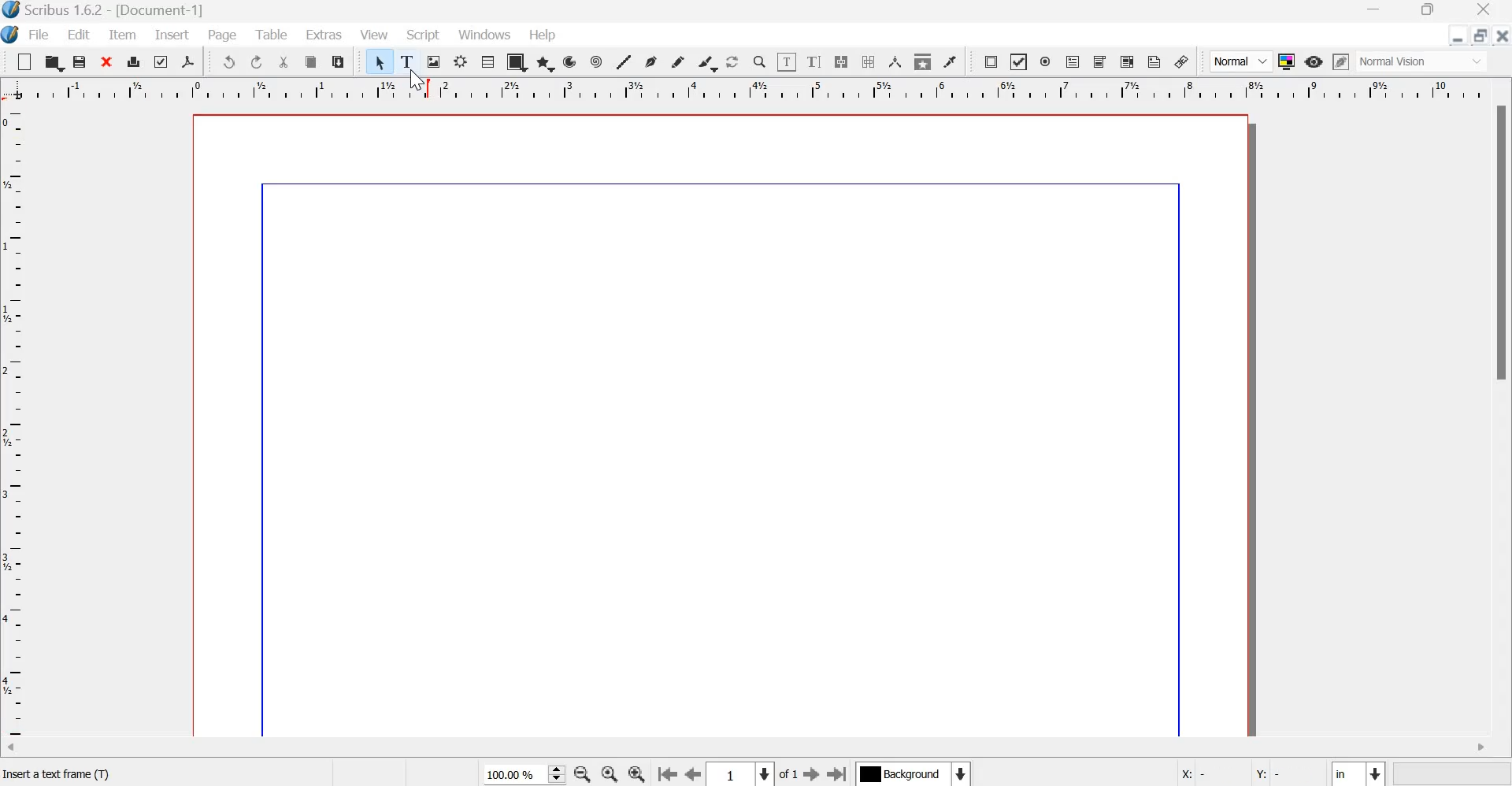 This screenshot has width=1512, height=786. What do you see at coordinates (424, 35) in the screenshot?
I see `script` at bounding box center [424, 35].